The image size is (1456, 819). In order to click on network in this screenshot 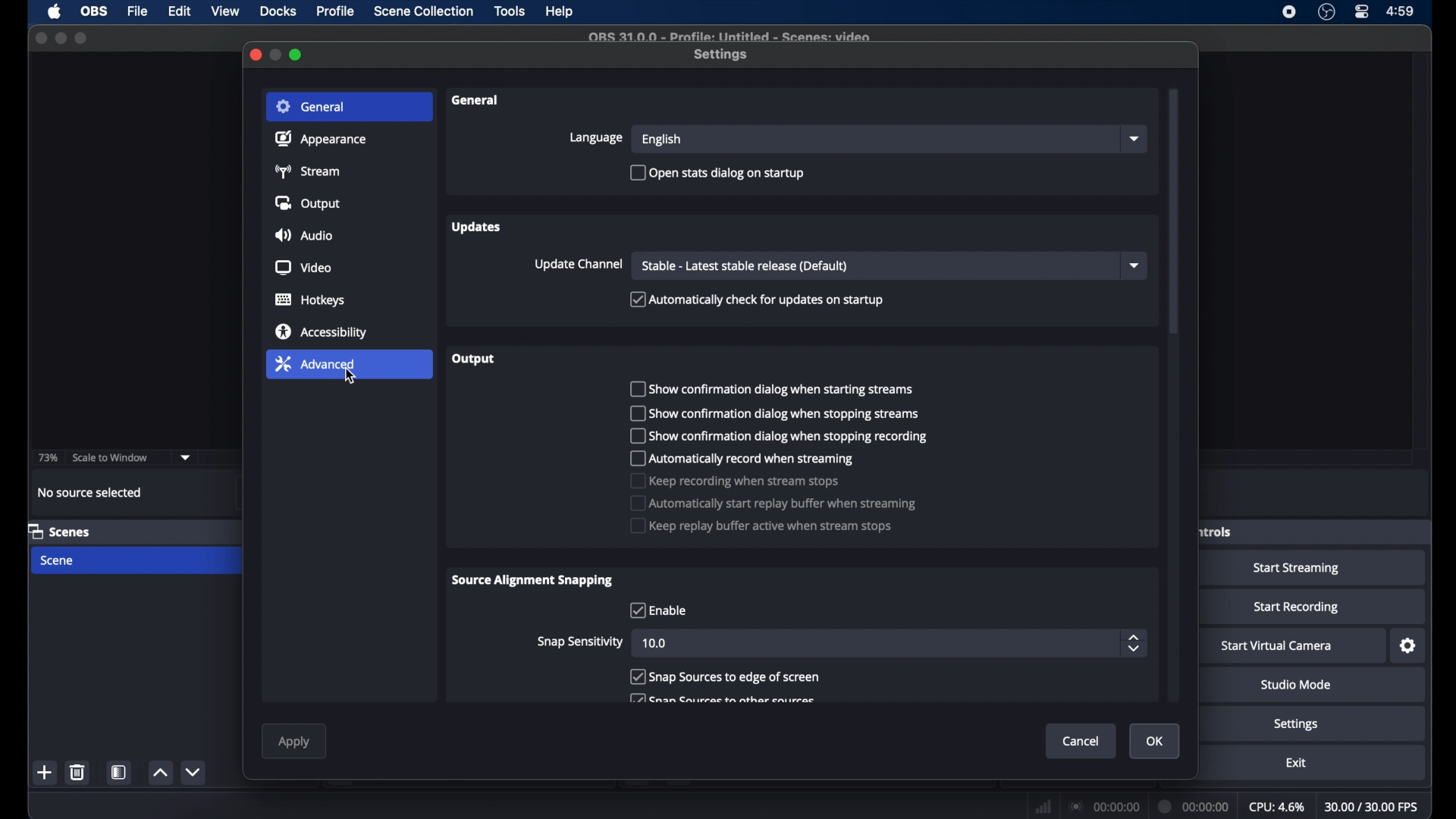, I will do `click(1042, 805)`.